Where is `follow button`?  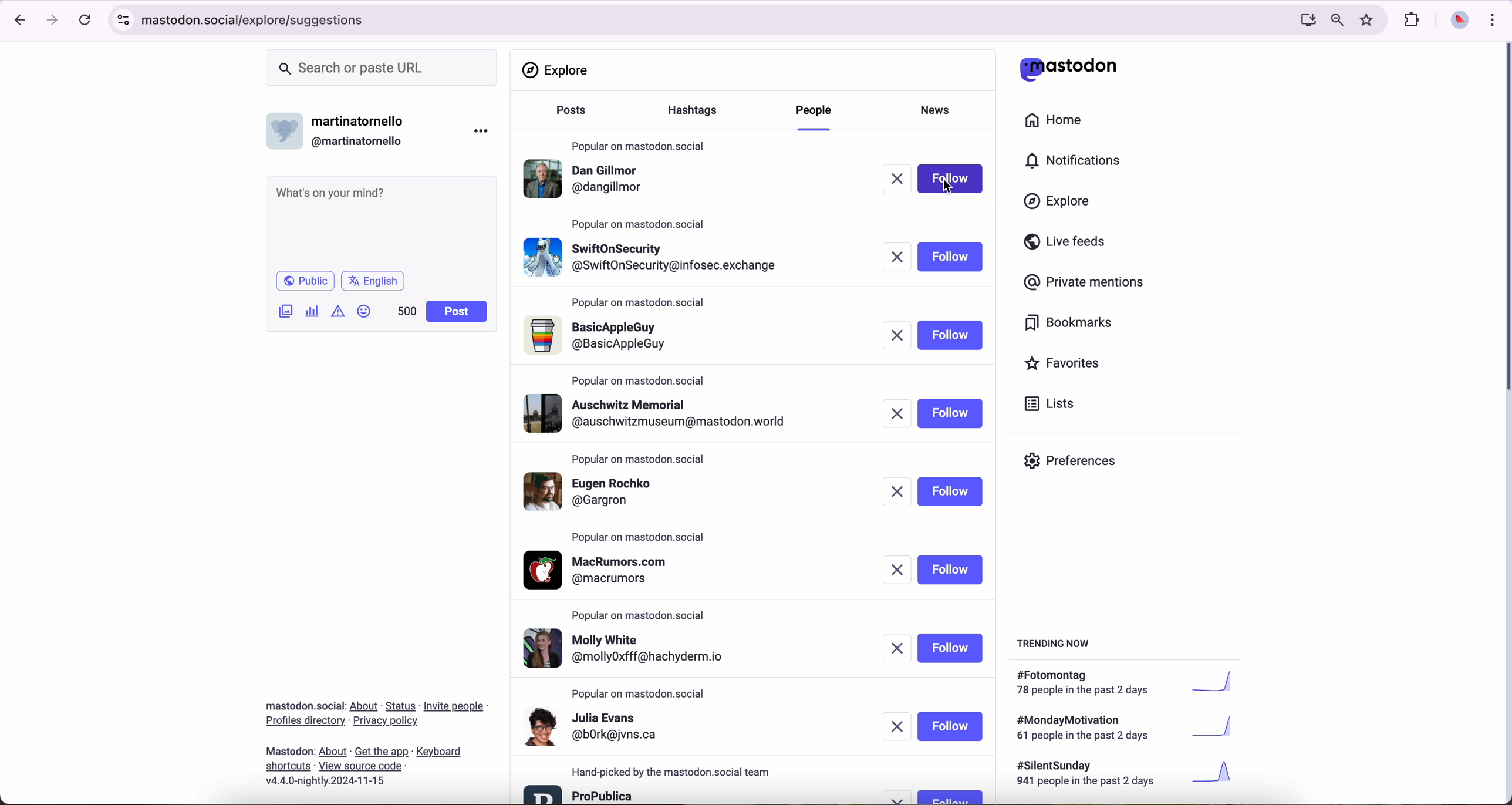 follow button is located at coordinates (950, 648).